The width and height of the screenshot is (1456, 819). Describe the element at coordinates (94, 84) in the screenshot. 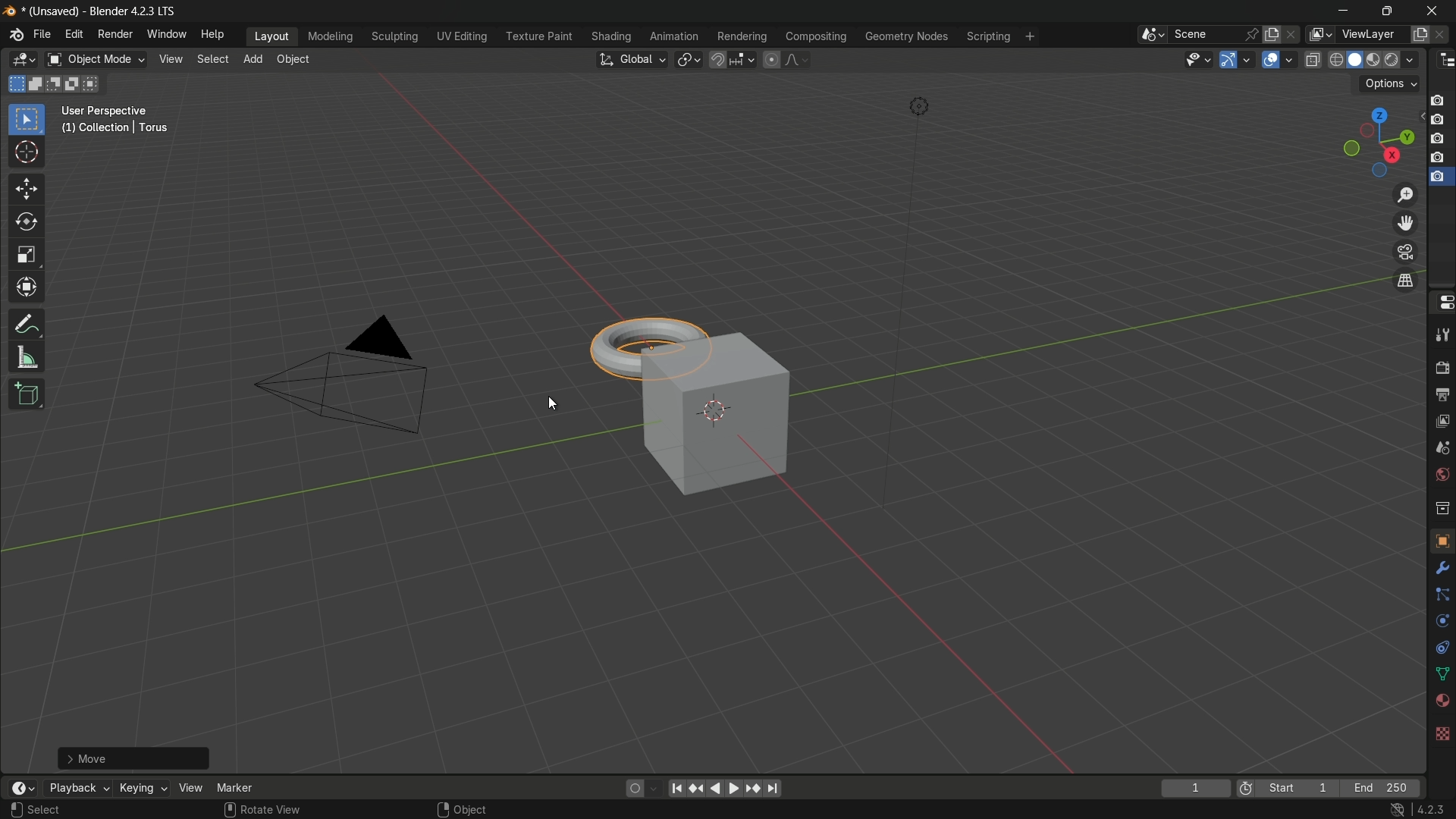

I see `merge existing selection` at that location.